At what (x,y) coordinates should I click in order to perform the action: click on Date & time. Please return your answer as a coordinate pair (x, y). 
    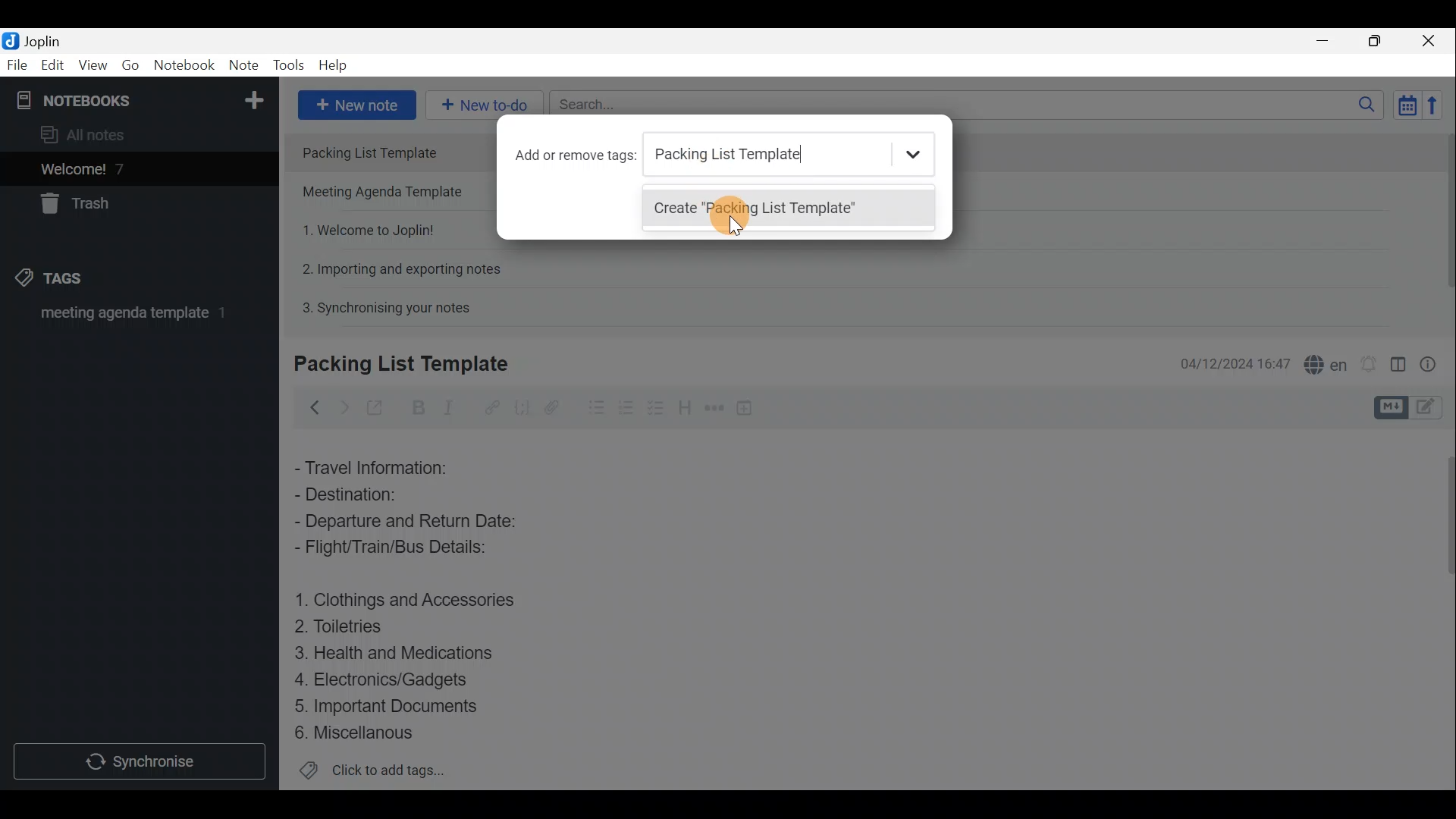
    Looking at the image, I should click on (1235, 362).